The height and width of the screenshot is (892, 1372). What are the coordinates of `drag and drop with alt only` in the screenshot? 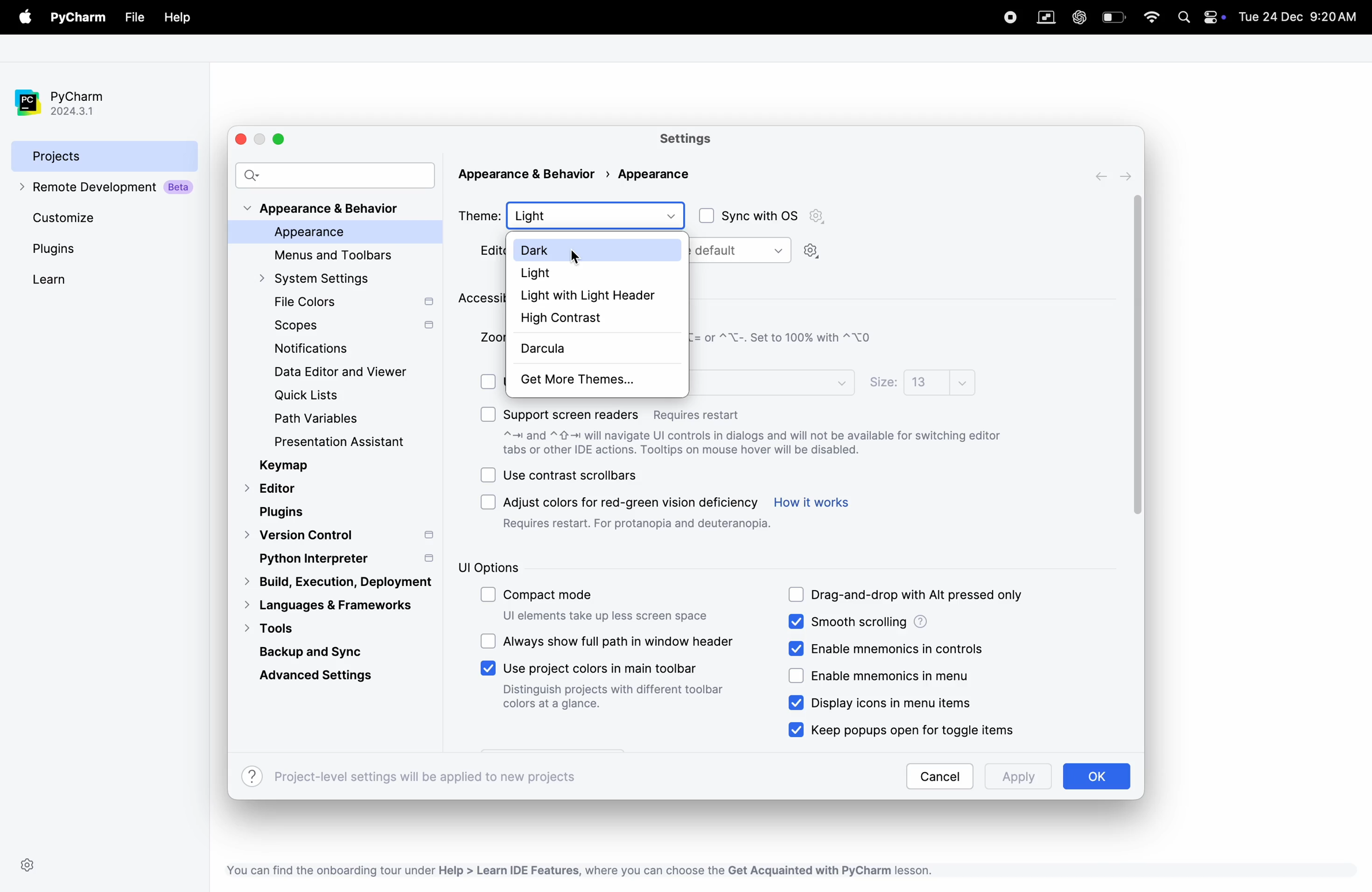 It's located at (922, 596).